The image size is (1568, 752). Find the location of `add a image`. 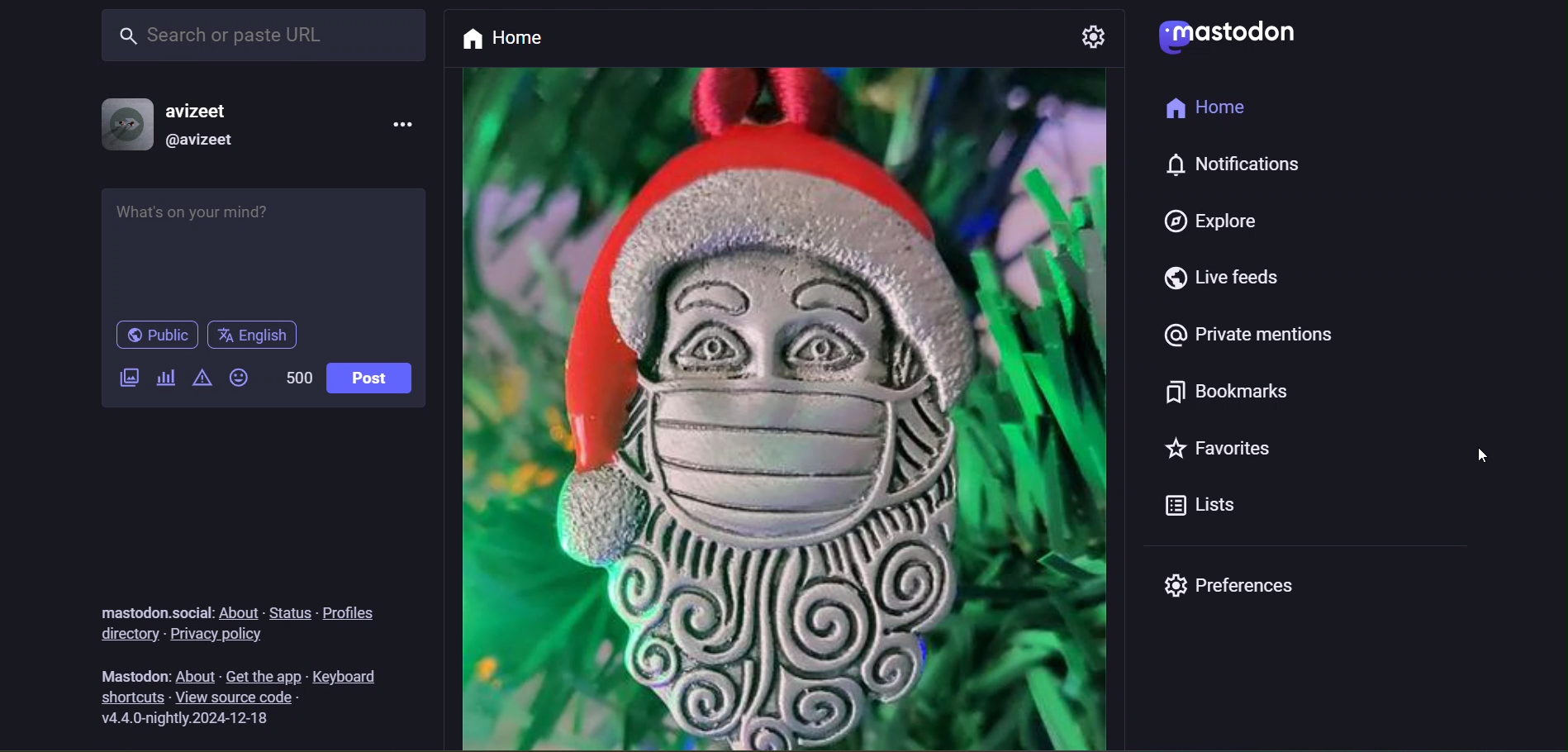

add a image is located at coordinates (126, 374).